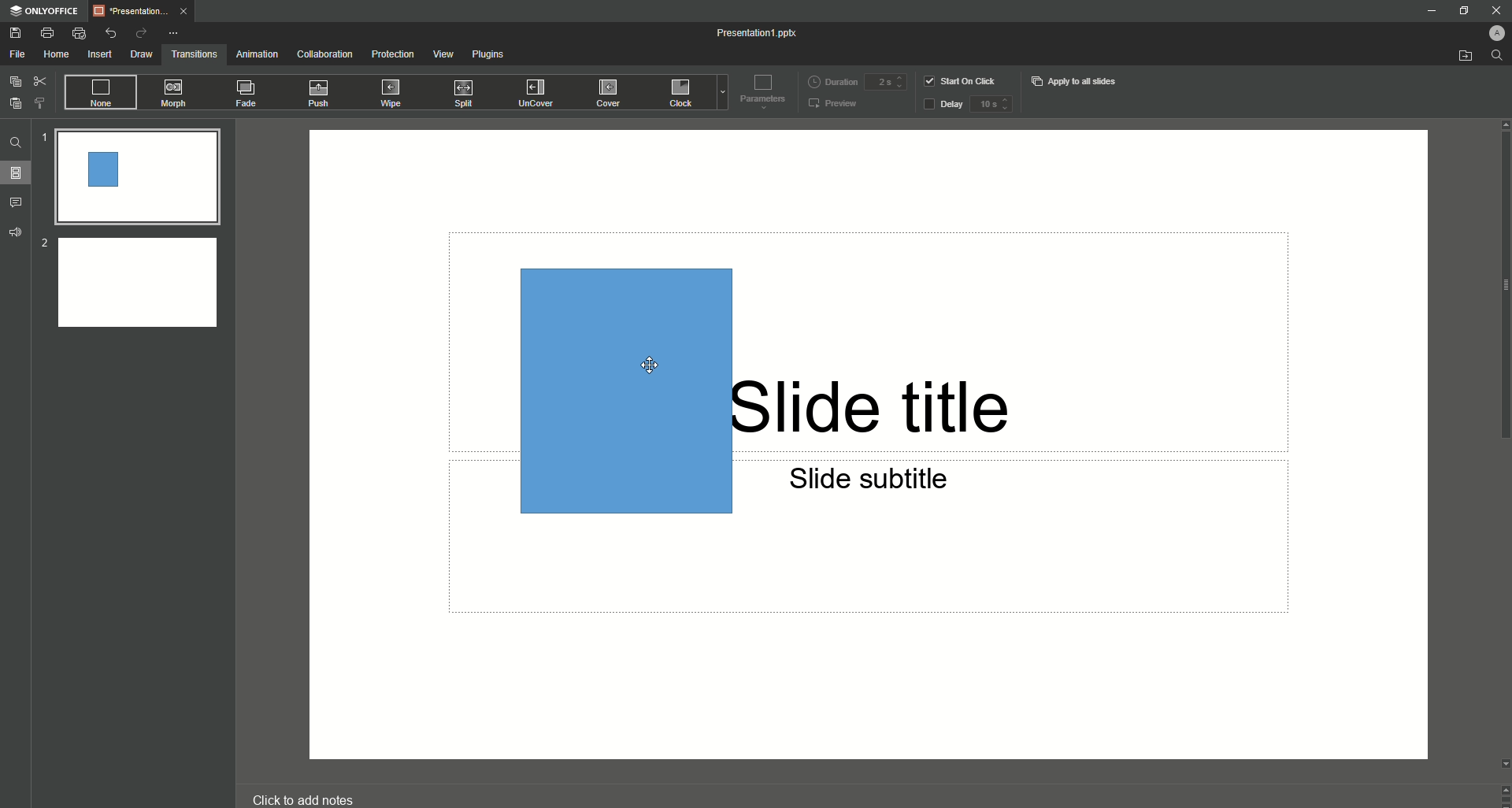 The image size is (1512, 808). Describe the element at coordinates (47, 32) in the screenshot. I see `Print` at that location.